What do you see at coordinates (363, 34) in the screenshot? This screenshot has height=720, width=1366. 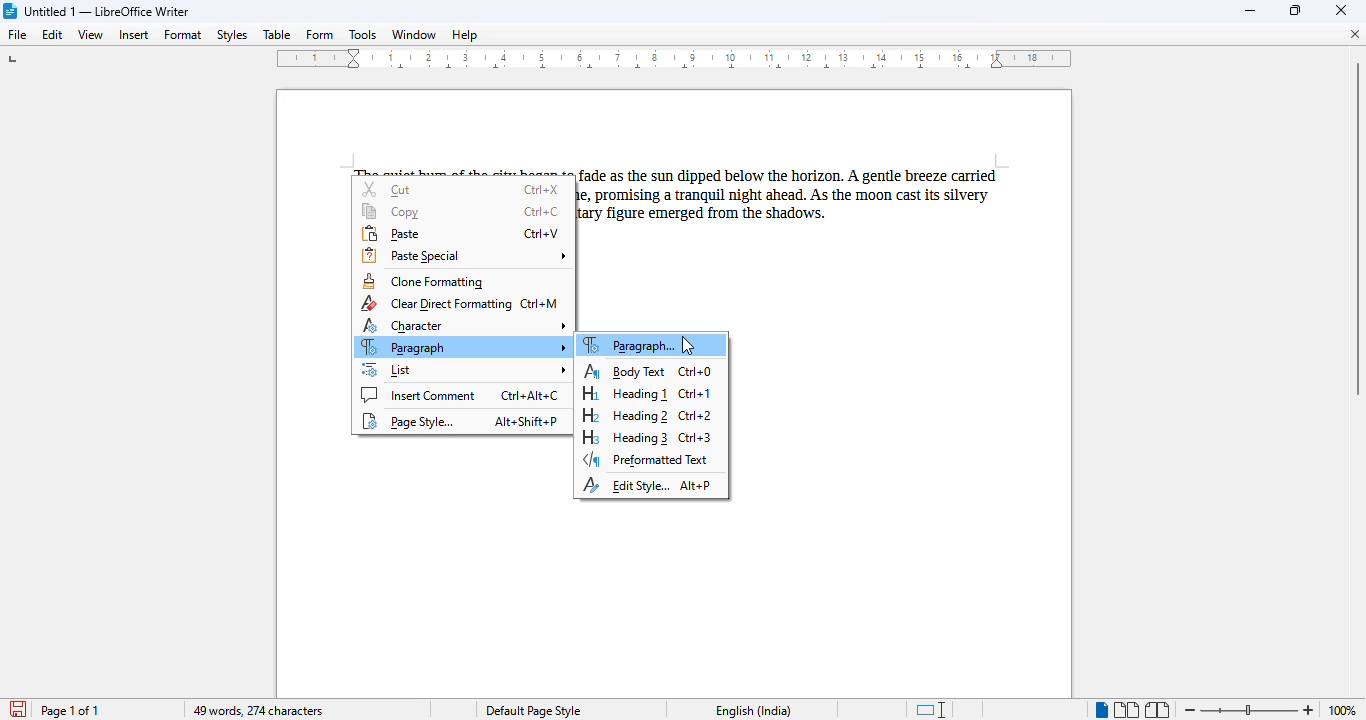 I see `tools` at bounding box center [363, 34].